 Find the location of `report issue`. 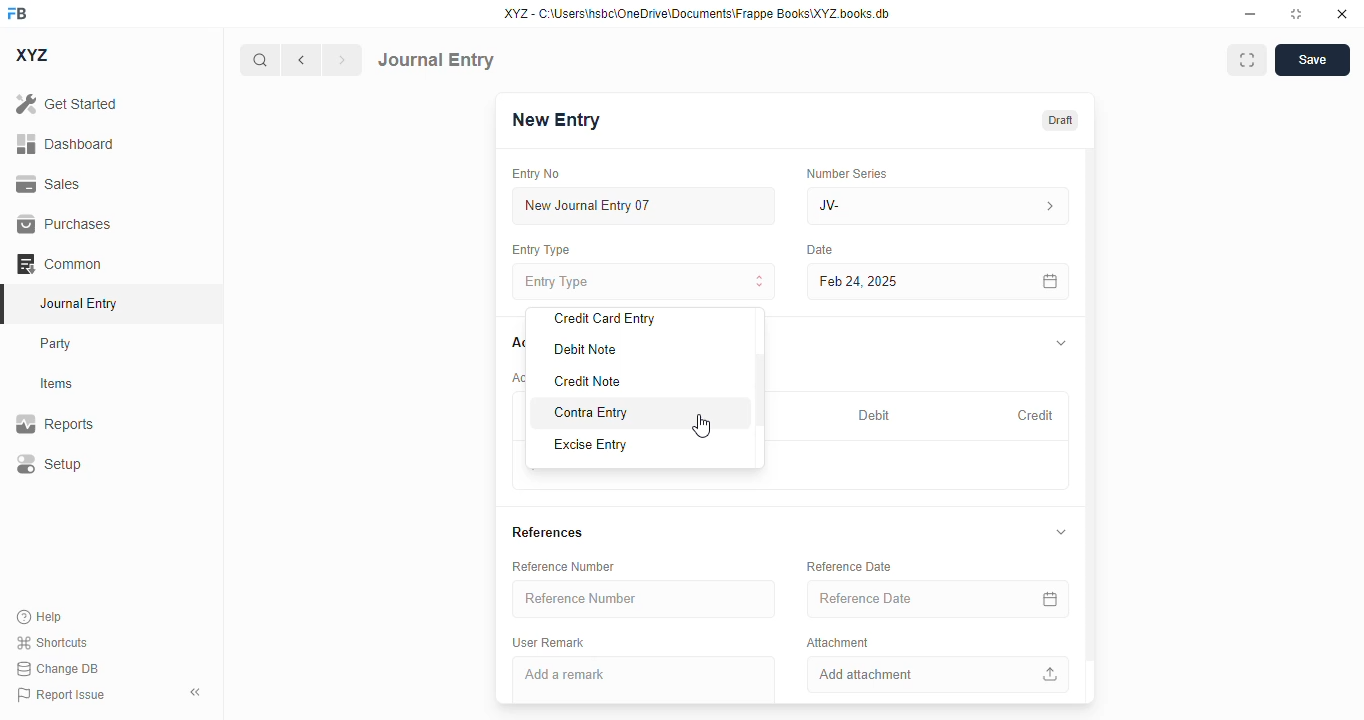

report issue is located at coordinates (61, 694).